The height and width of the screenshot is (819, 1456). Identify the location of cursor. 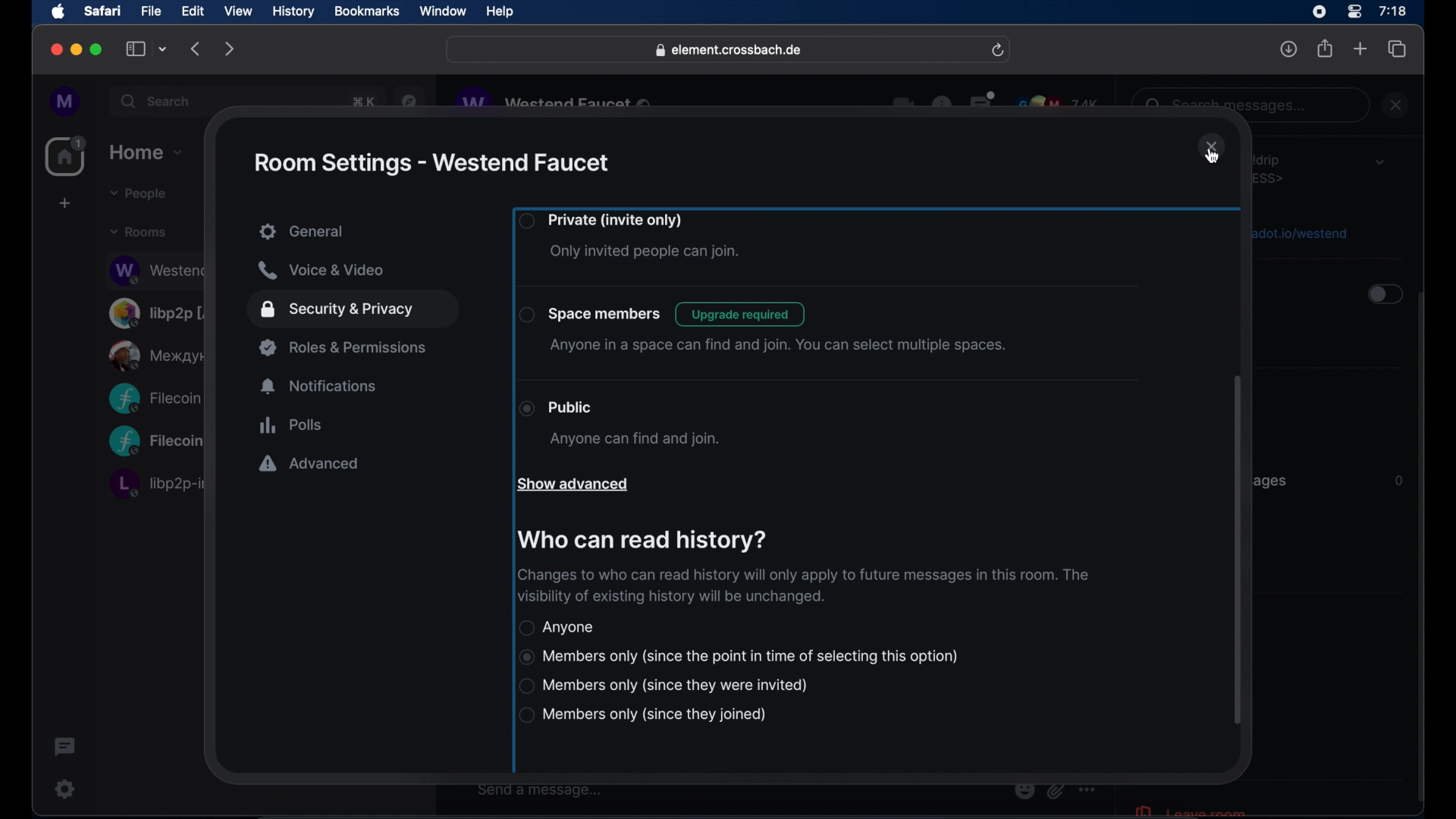
(1212, 156).